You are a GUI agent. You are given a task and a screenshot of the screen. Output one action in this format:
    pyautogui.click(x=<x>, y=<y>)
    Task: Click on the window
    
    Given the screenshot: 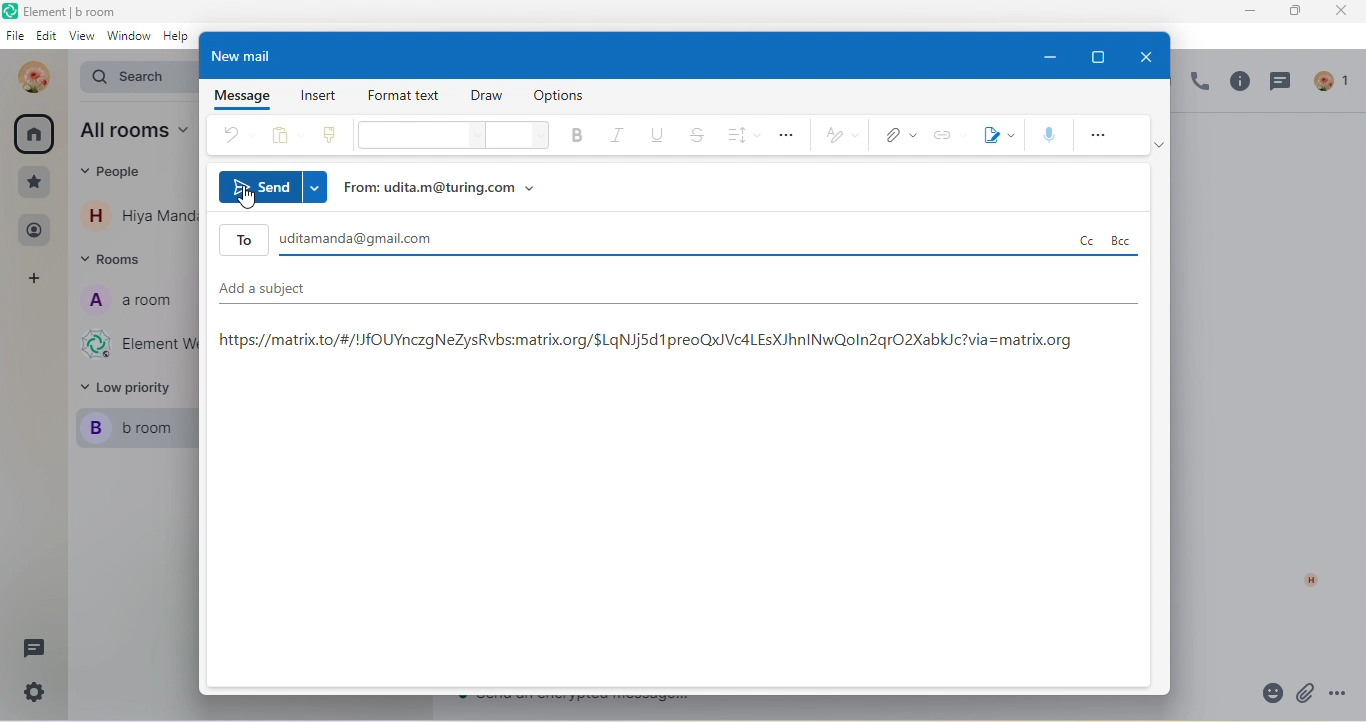 What is the action you would take?
    pyautogui.click(x=128, y=41)
    